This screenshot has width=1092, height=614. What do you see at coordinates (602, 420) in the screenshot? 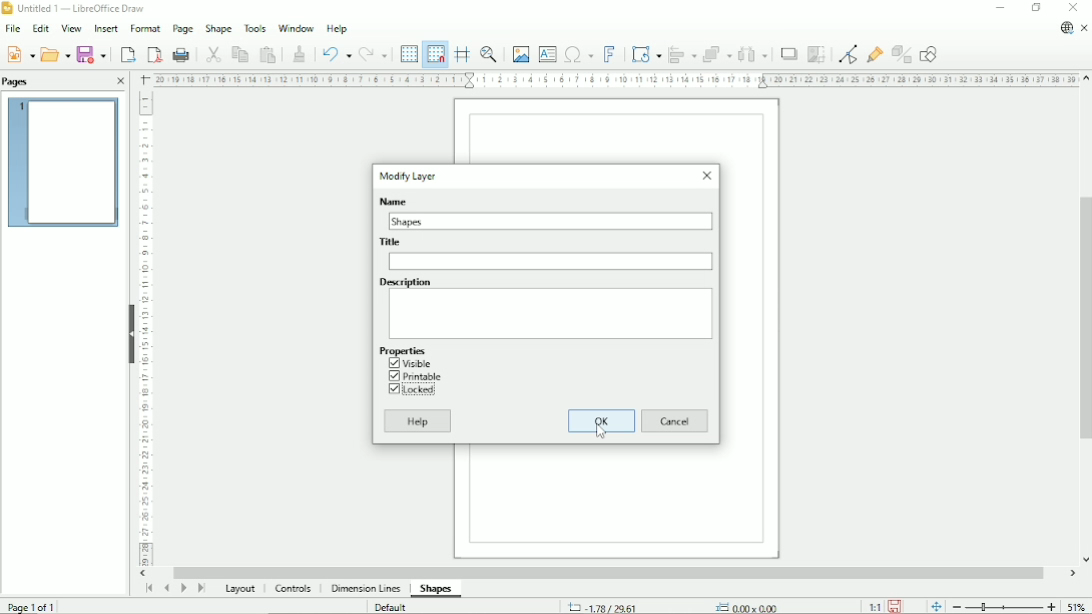
I see `OK` at bounding box center [602, 420].